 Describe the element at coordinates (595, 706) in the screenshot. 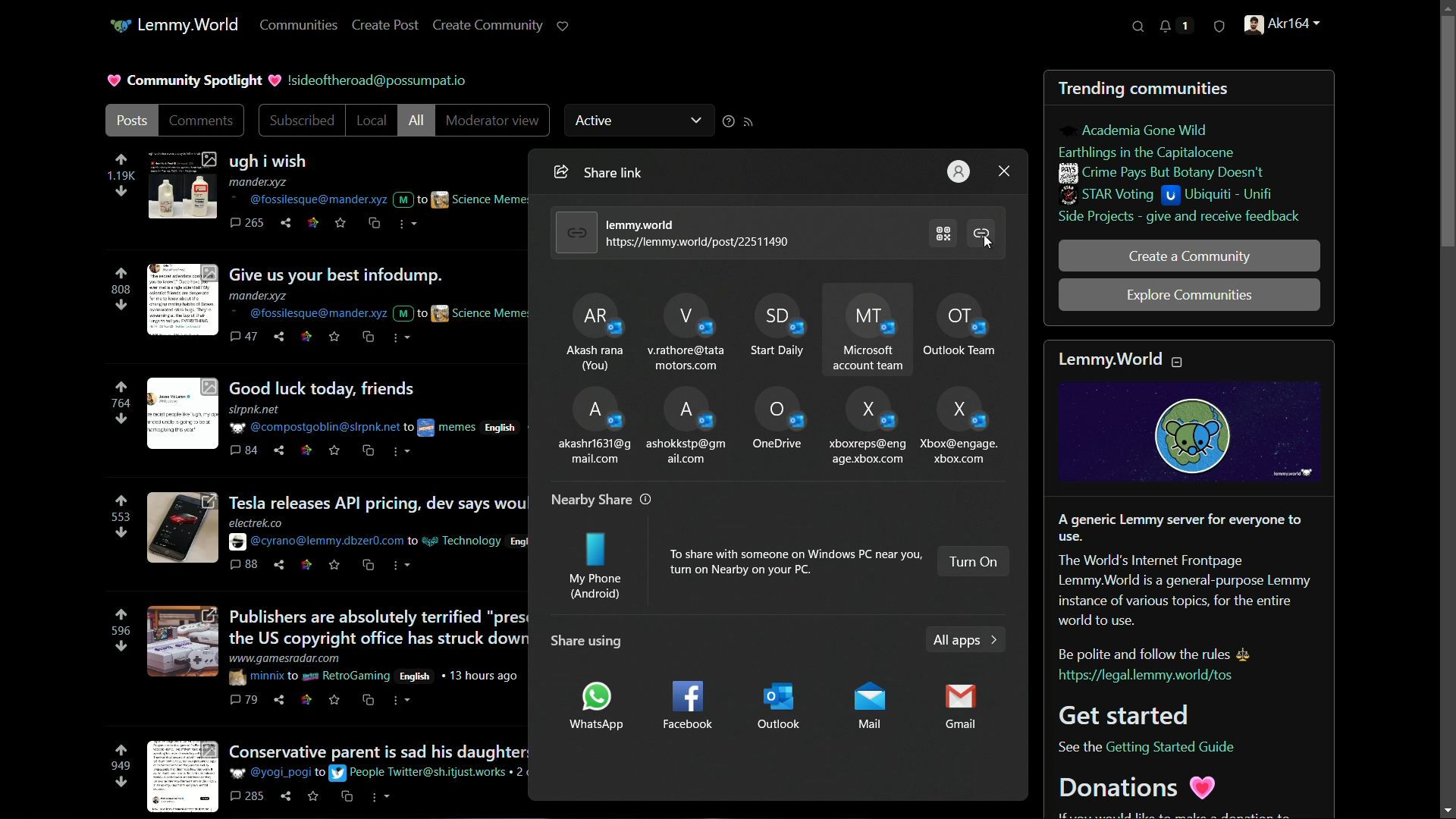

I see `whatsapp` at that location.